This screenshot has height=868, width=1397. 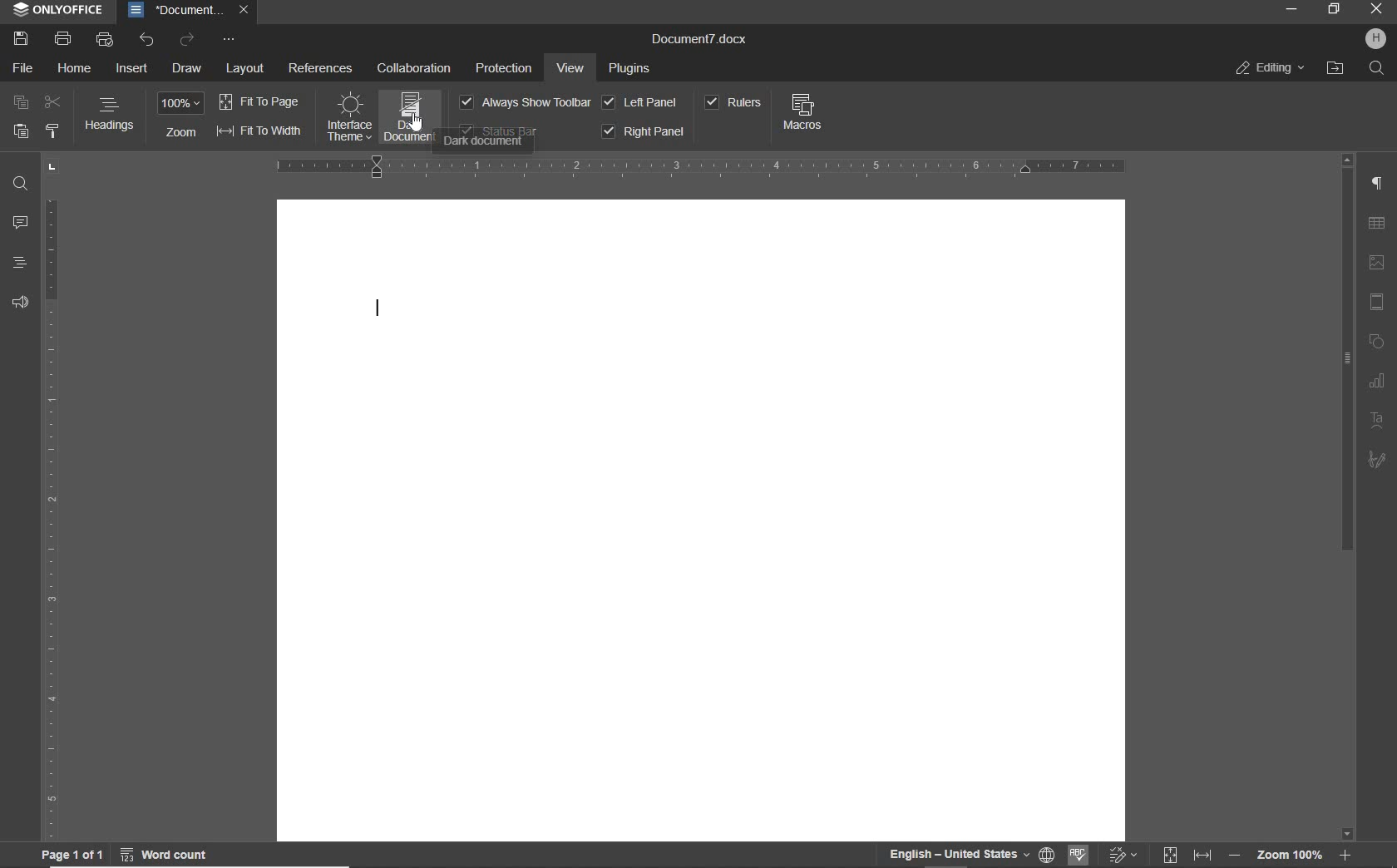 I want to click on INSERT, so click(x=131, y=70).